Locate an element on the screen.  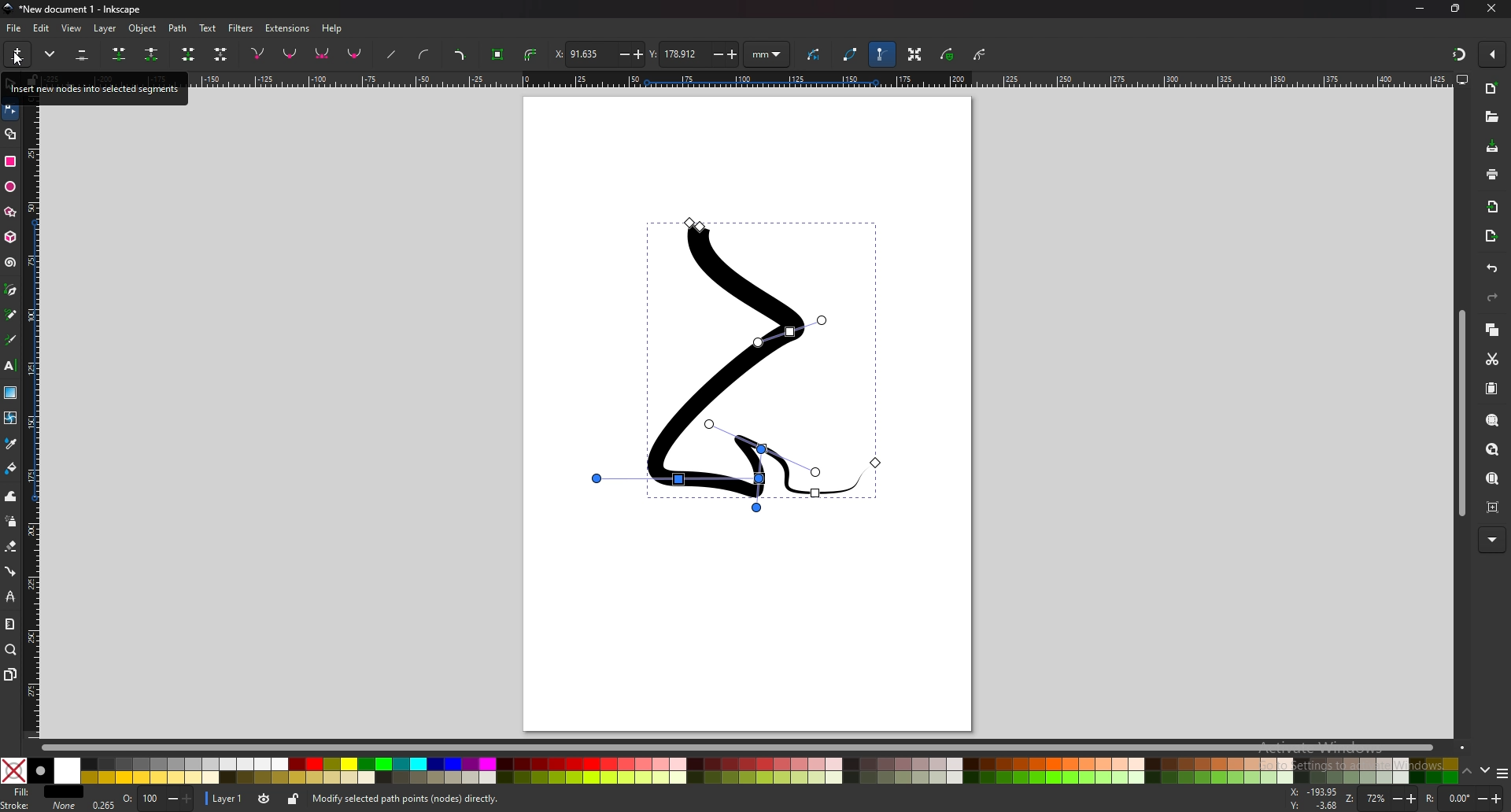
drawing is located at coordinates (734, 361).